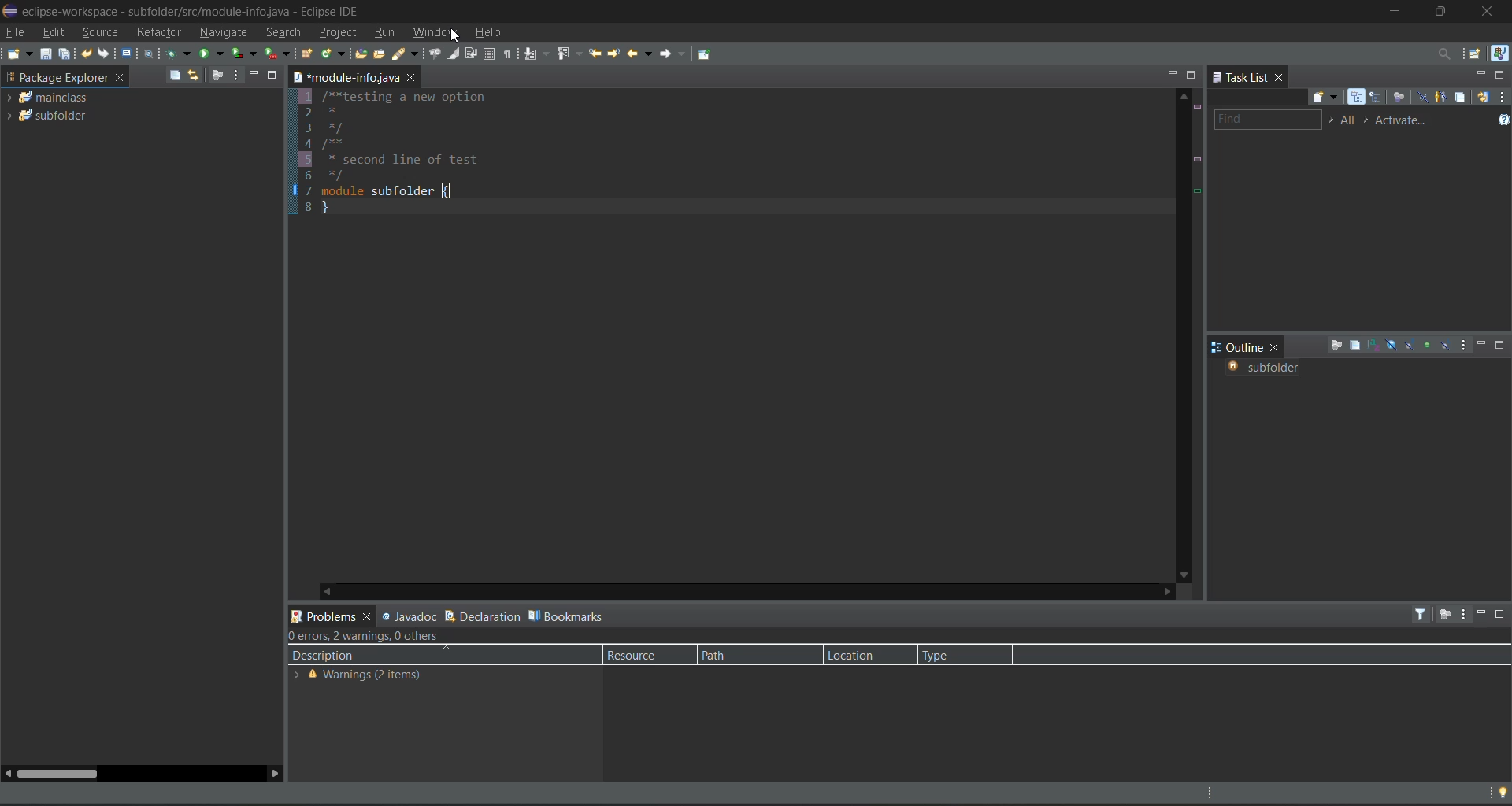 Image resolution: width=1512 pixels, height=806 pixels. Describe the element at coordinates (434, 55) in the screenshot. I see `toggle java editor breadcrumb` at that location.